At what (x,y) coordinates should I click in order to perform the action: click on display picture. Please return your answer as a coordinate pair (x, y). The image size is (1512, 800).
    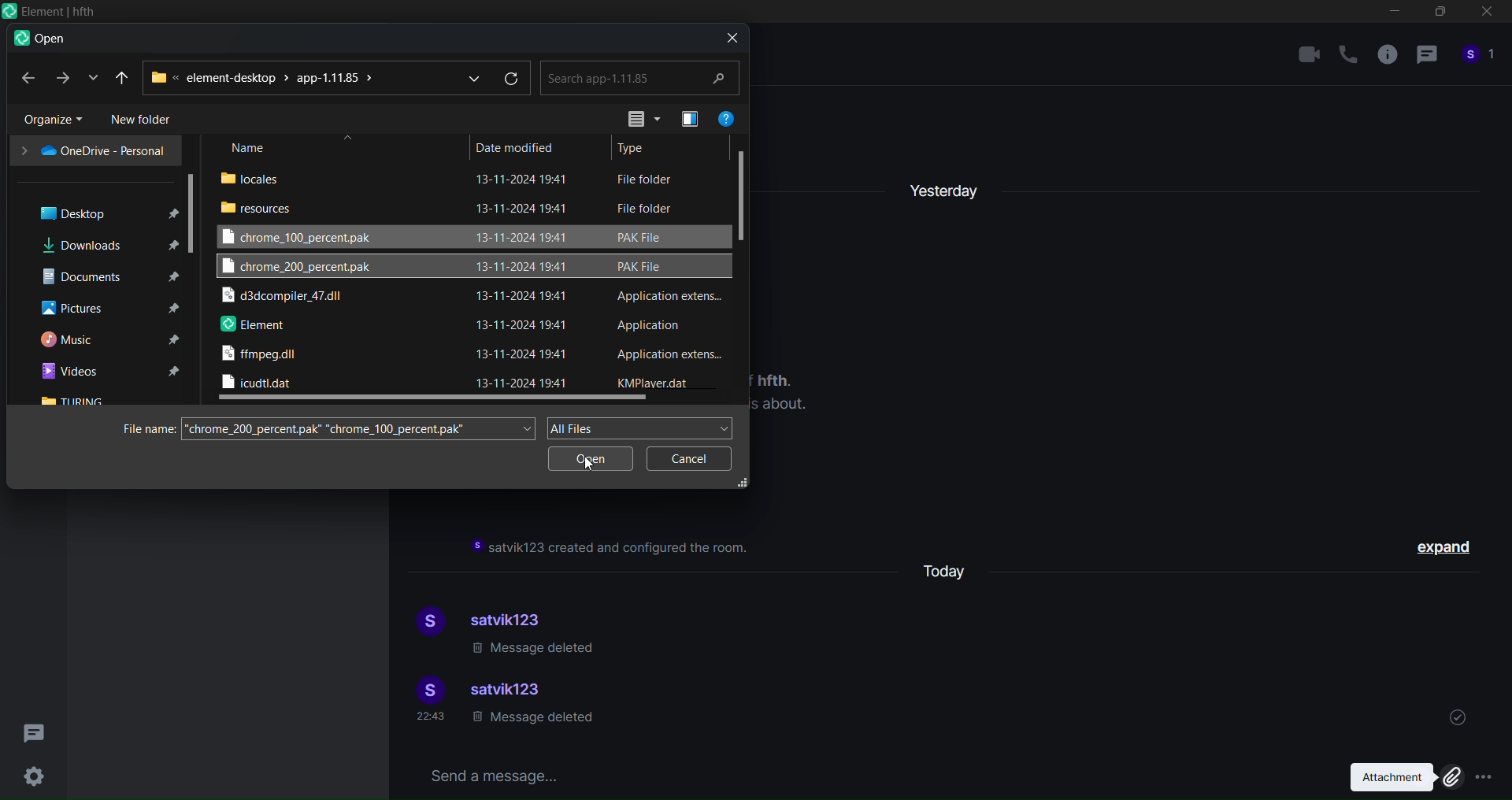
    Looking at the image, I should click on (426, 690).